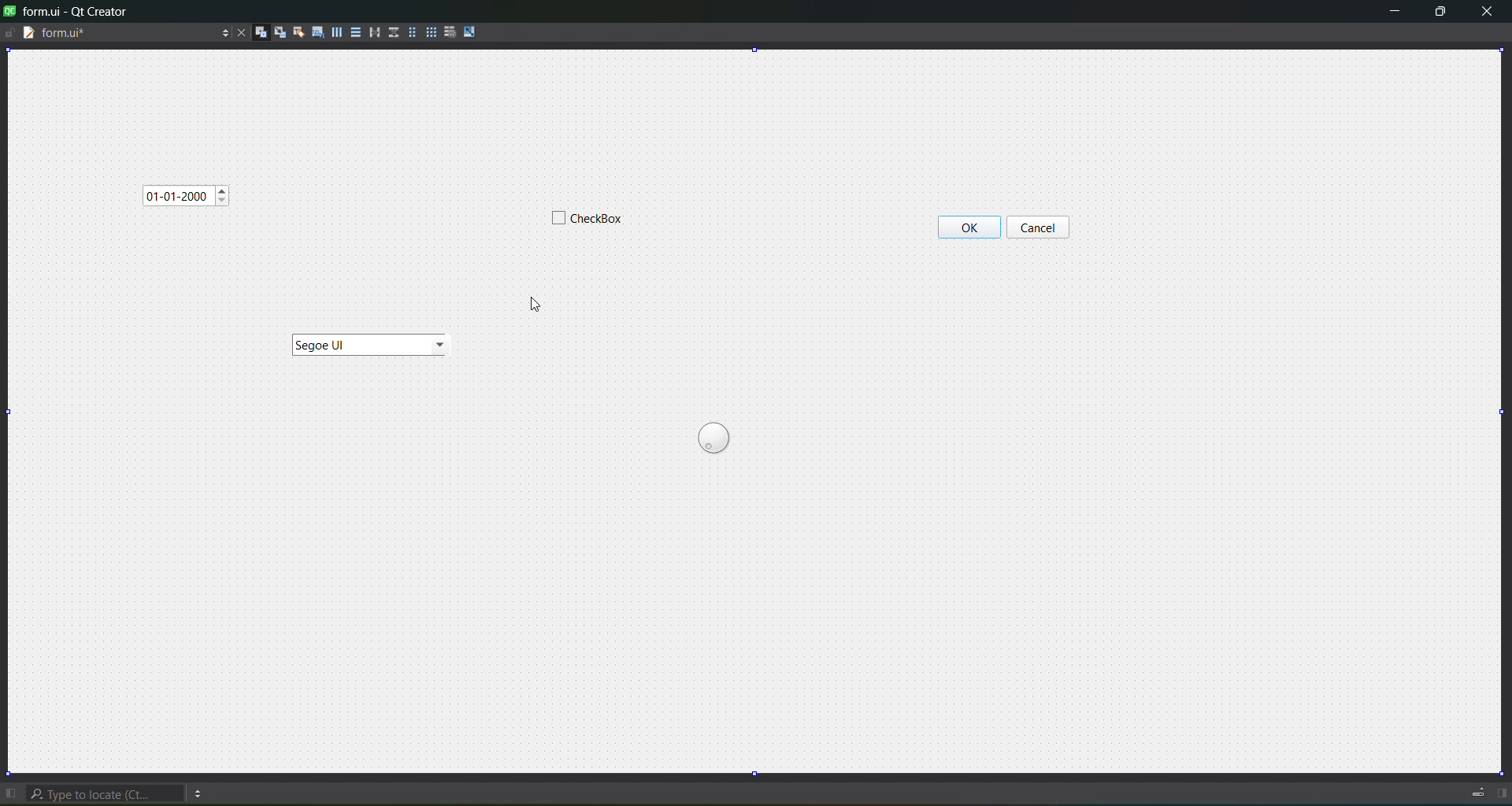 This screenshot has height=806, width=1512. Describe the element at coordinates (594, 216) in the screenshot. I see `Widget` at that location.